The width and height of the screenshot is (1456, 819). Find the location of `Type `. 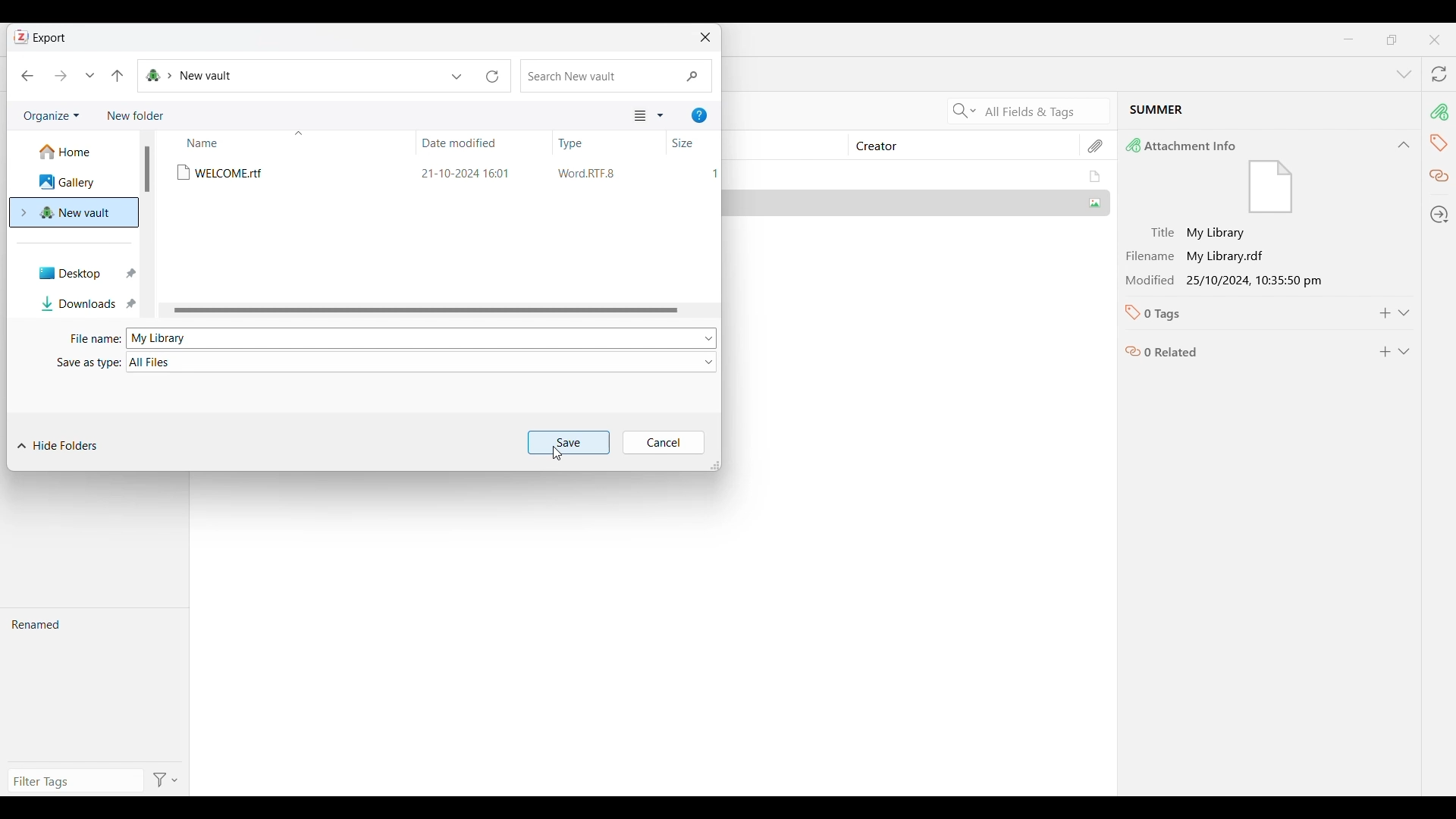

Type  is located at coordinates (583, 143).